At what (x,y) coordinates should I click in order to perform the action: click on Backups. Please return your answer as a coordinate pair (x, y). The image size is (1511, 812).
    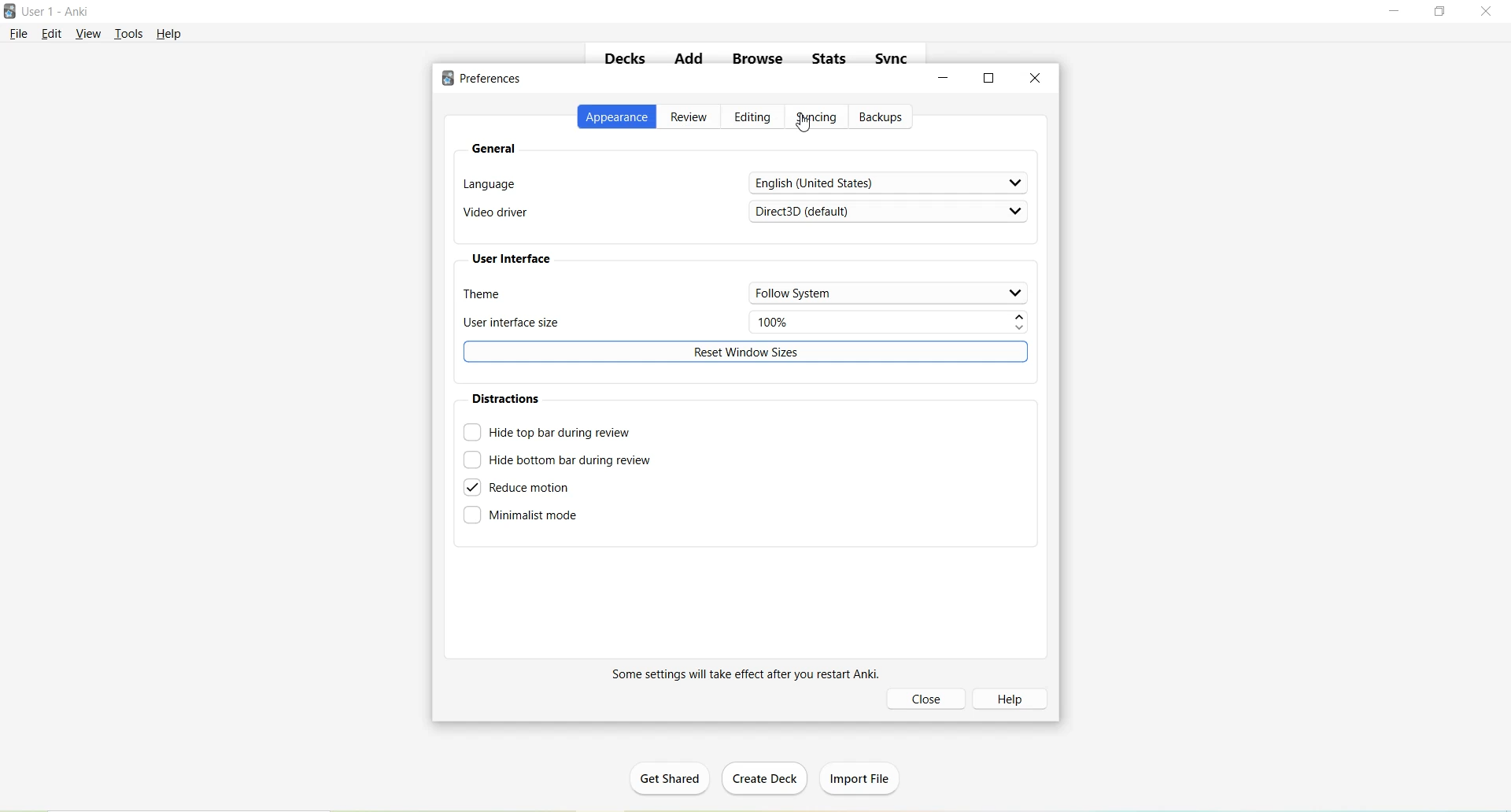
    Looking at the image, I should click on (884, 117).